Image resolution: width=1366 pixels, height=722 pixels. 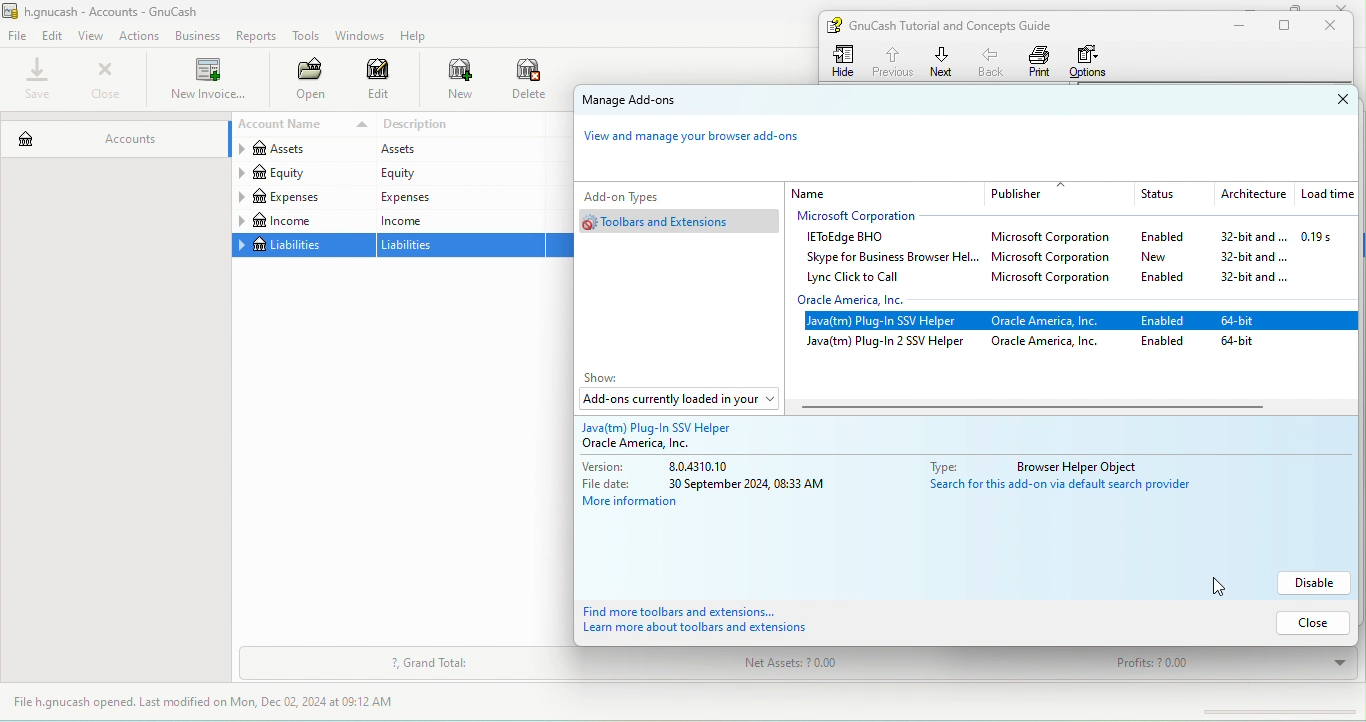 I want to click on architecture, so click(x=1251, y=195).